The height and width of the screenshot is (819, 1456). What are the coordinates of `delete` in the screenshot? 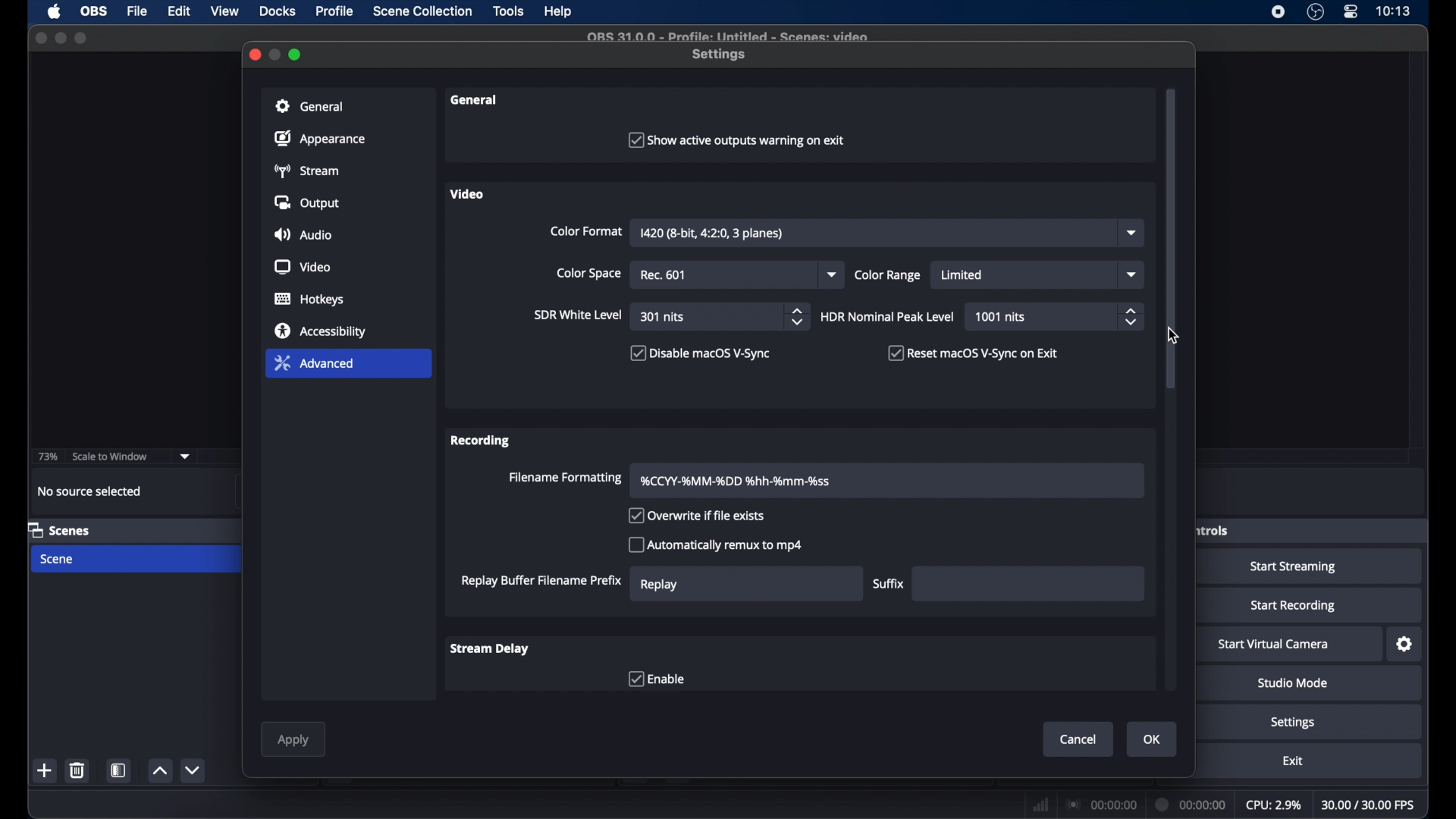 It's located at (77, 770).